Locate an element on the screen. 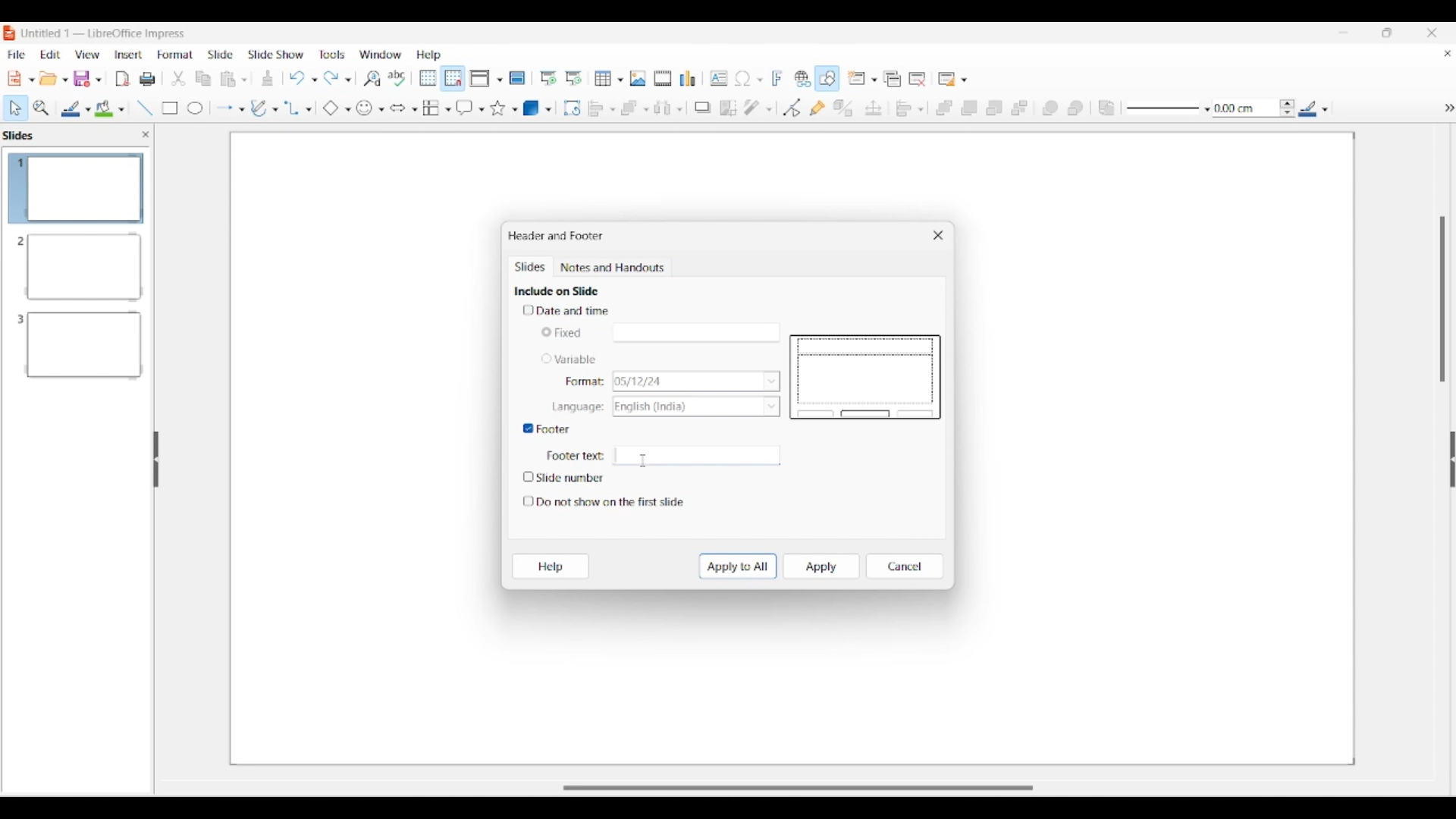  Window menu is located at coordinates (380, 55).